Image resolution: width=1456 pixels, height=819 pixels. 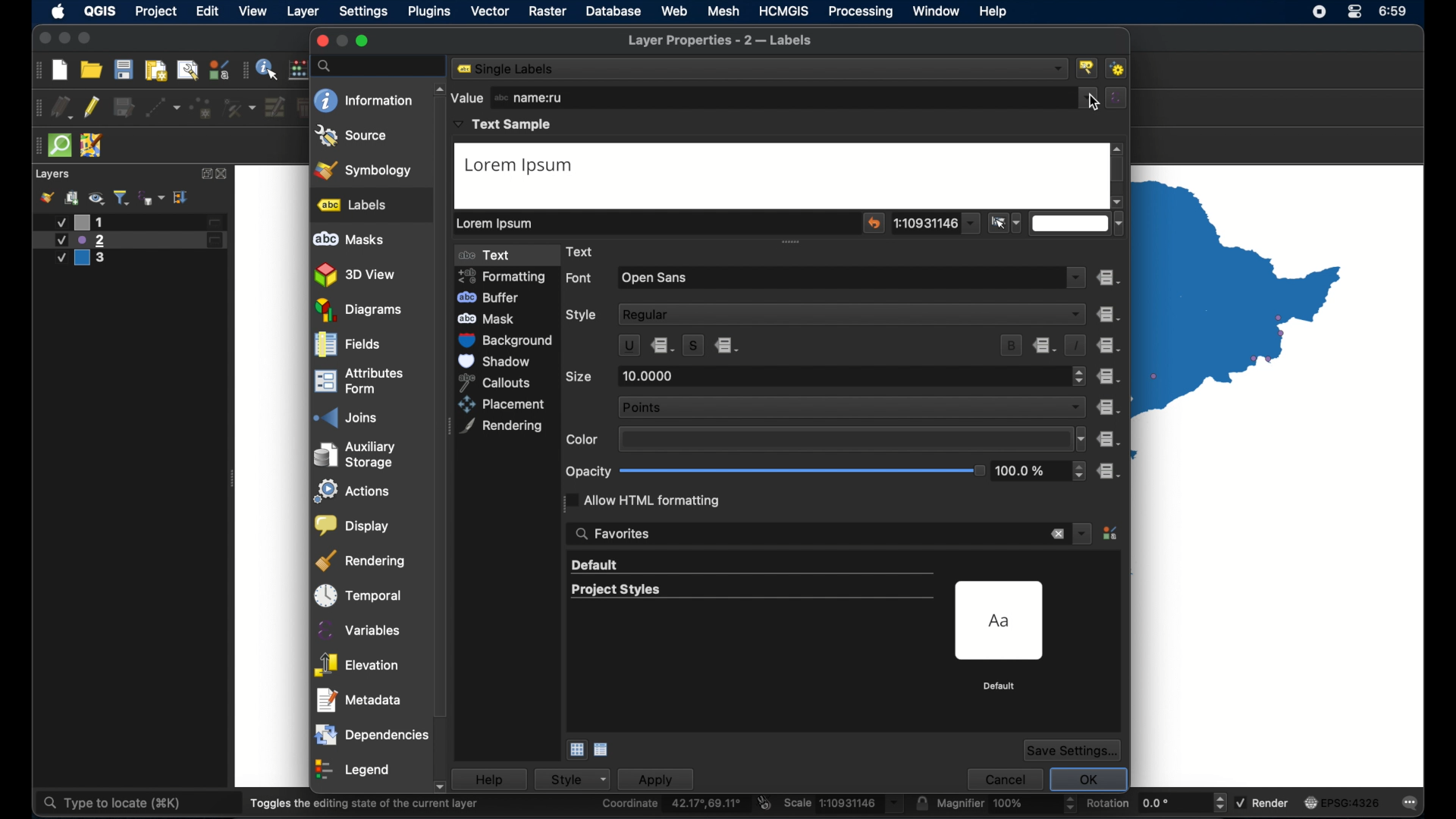 What do you see at coordinates (1006, 803) in the screenshot?
I see `magnifier` at bounding box center [1006, 803].